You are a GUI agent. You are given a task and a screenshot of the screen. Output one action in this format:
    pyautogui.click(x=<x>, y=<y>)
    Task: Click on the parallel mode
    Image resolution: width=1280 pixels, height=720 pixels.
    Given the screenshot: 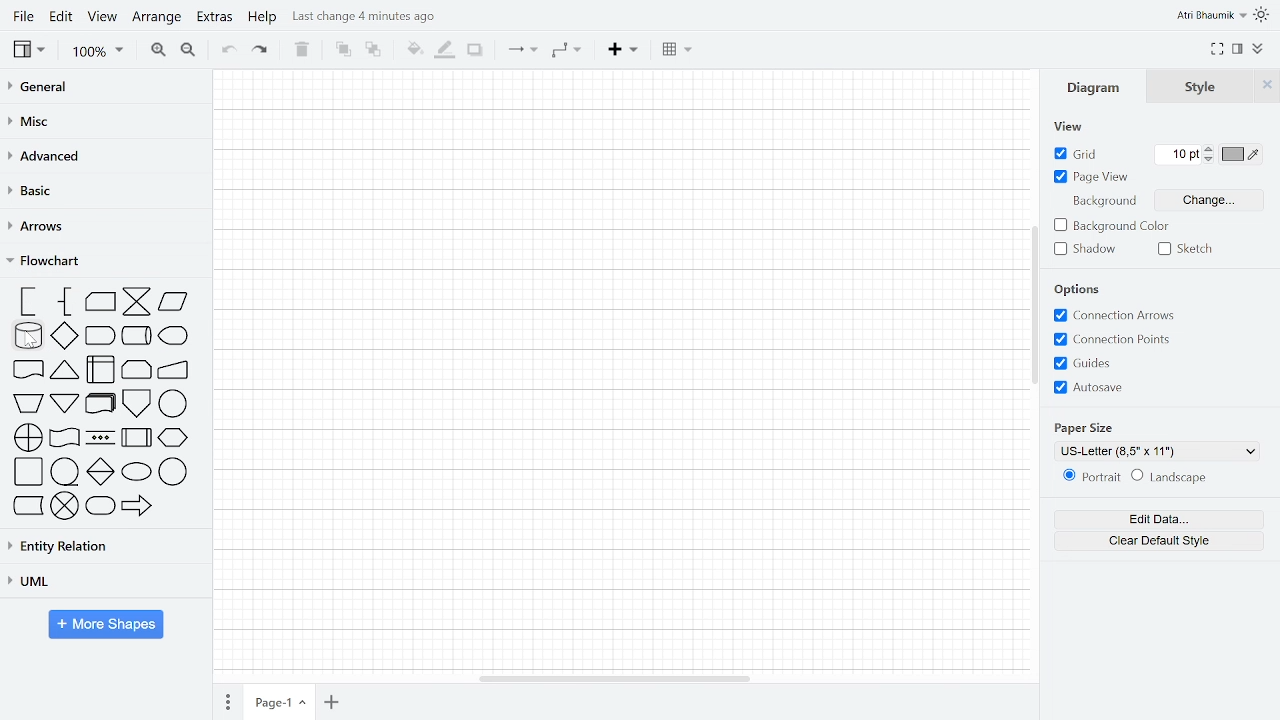 What is the action you would take?
    pyautogui.click(x=100, y=438)
    